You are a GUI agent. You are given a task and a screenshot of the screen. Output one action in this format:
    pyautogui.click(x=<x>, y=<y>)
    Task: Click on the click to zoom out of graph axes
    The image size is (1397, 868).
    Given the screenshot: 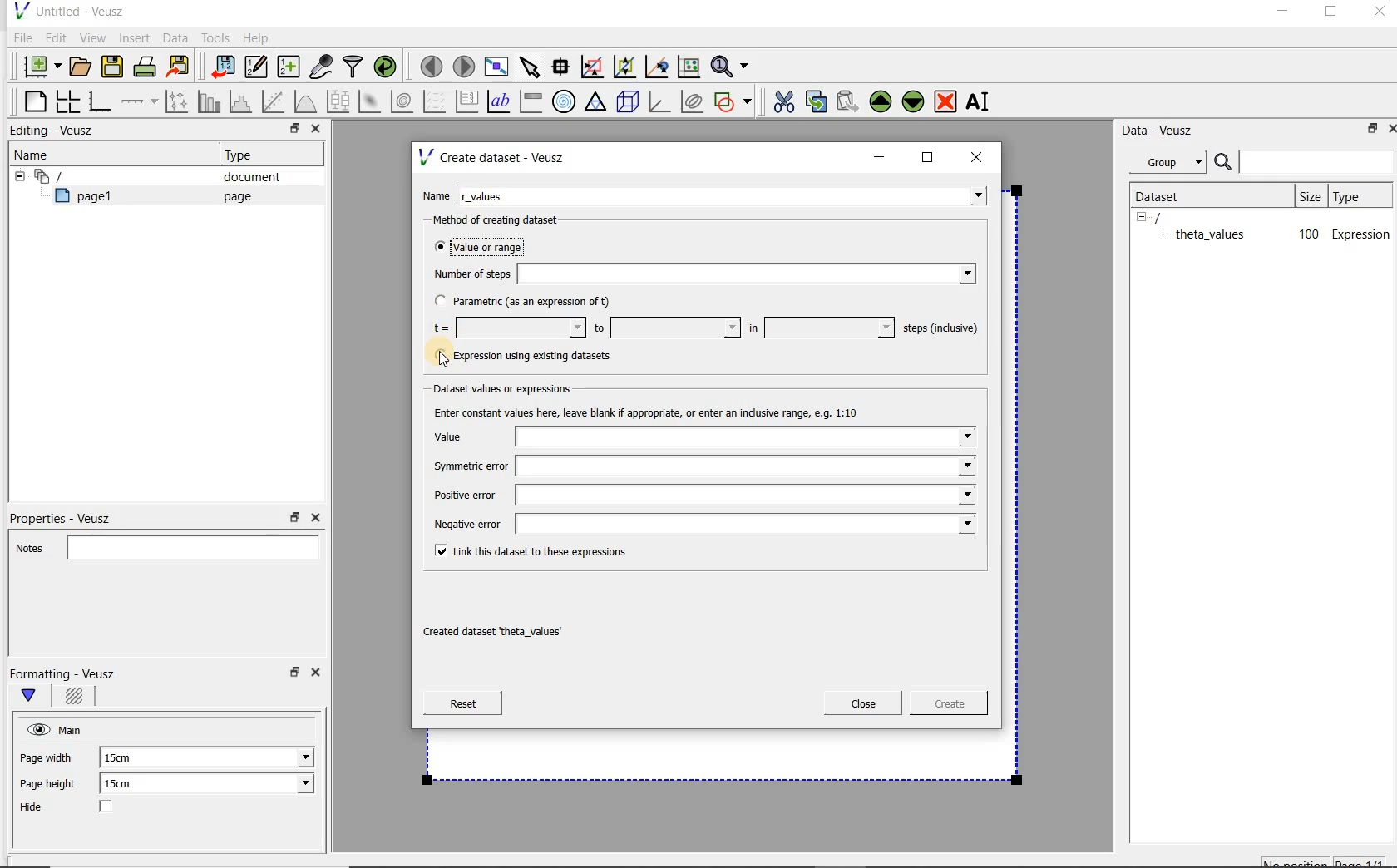 What is the action you would take?
    pyautogui.click(x=625, y=67)
    